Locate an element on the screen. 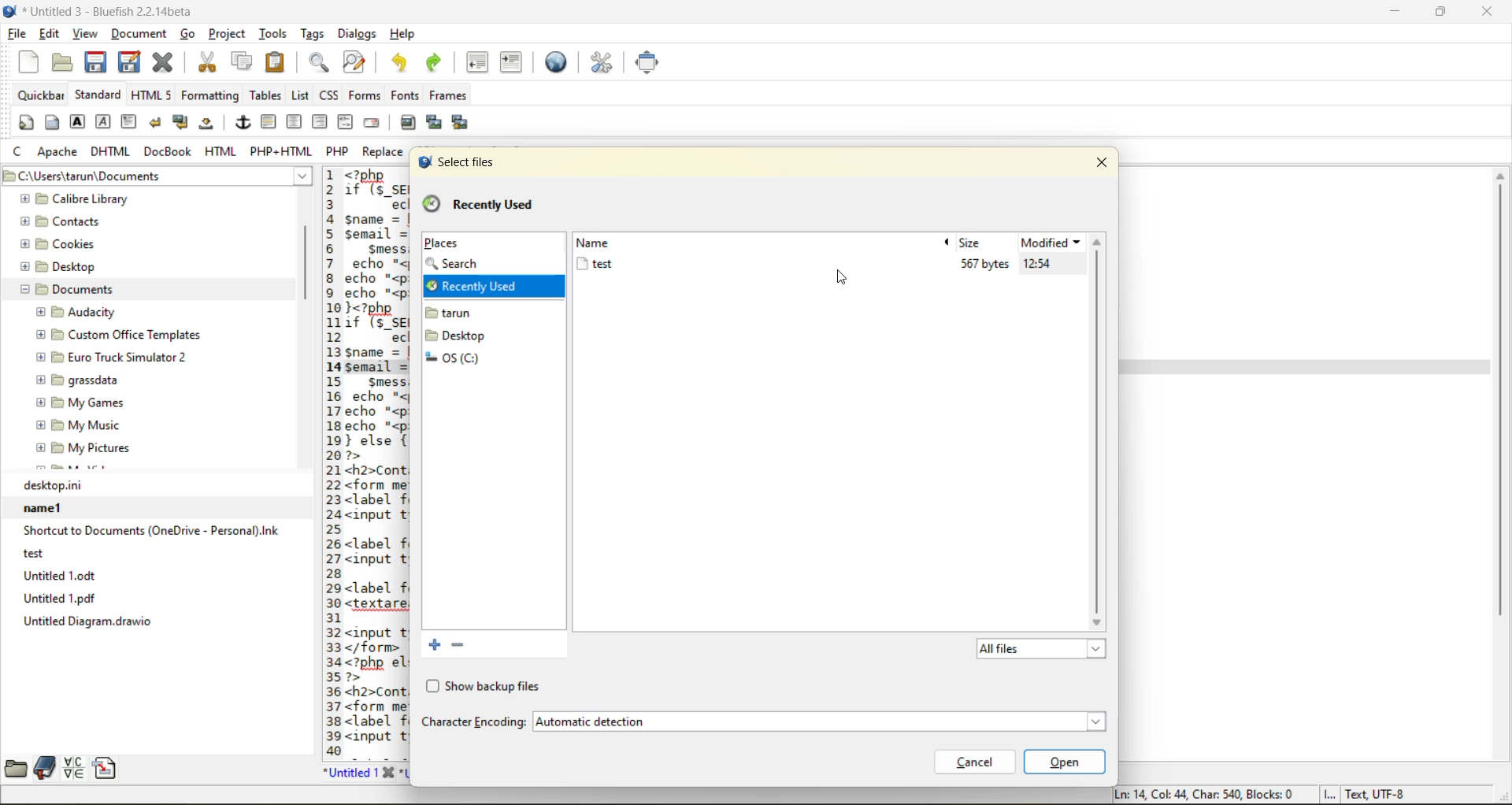  snippets is located at coordinates (109, 768).